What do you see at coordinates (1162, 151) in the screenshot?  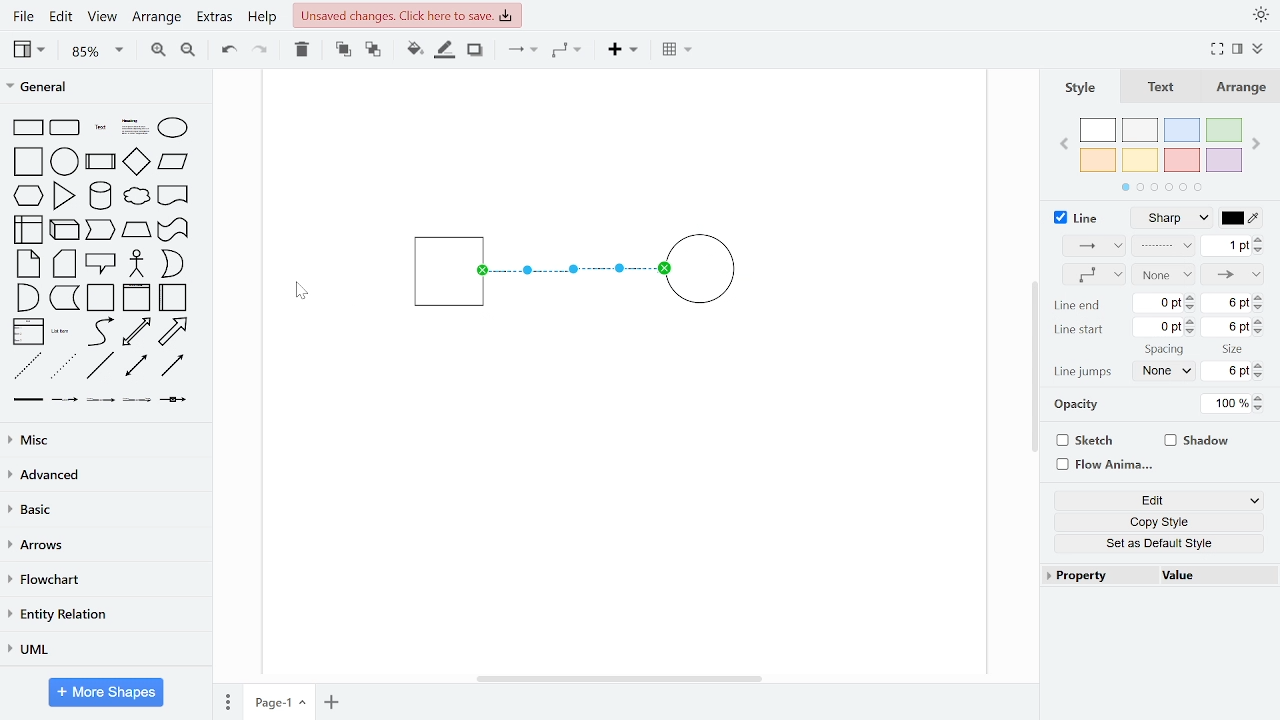 I see `colors` at bounding box center [1162, 151].